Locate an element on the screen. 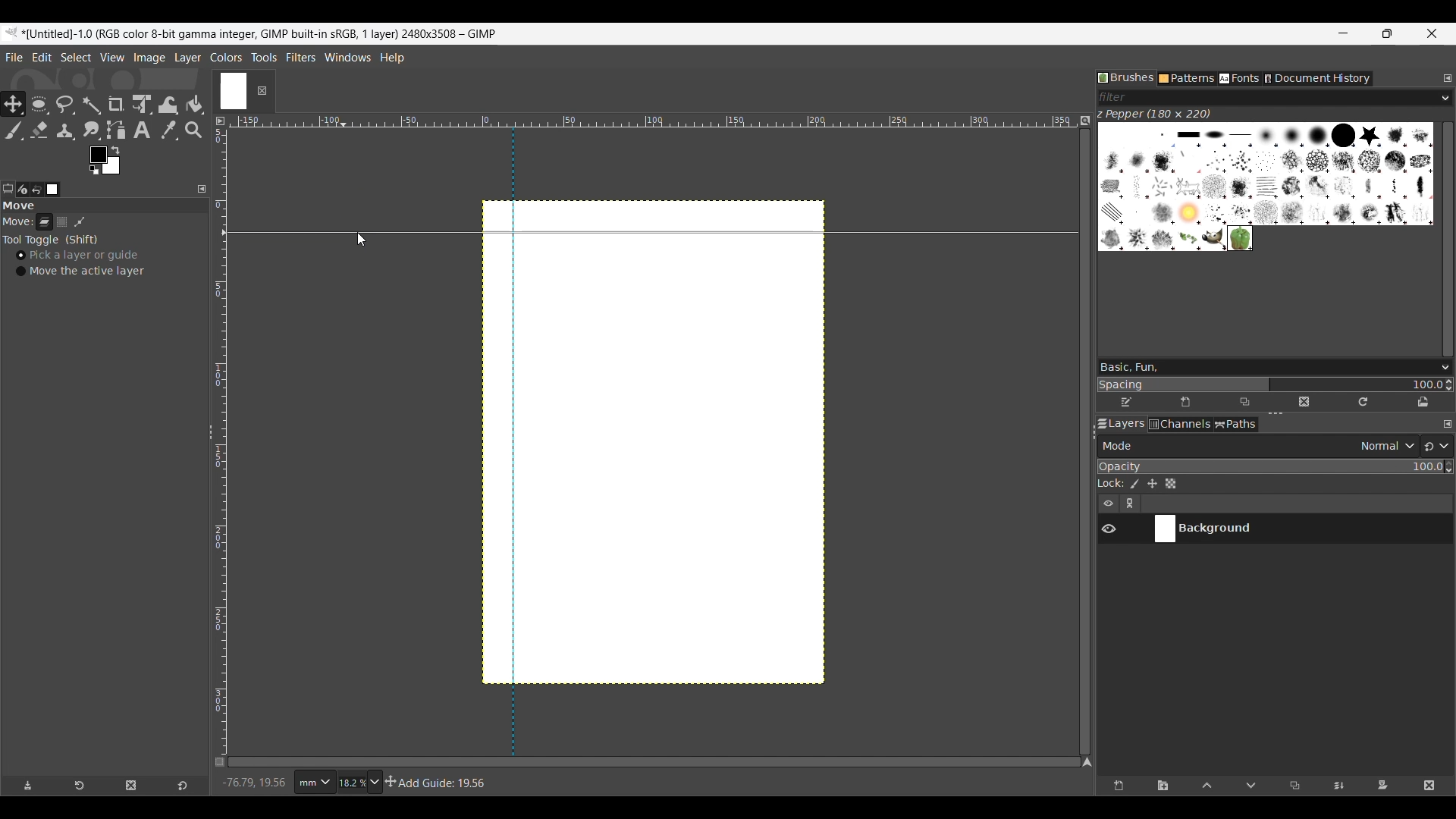 This screenshot has height=819, width=1456. Tool toggle options is located at coordinates (50, 240).